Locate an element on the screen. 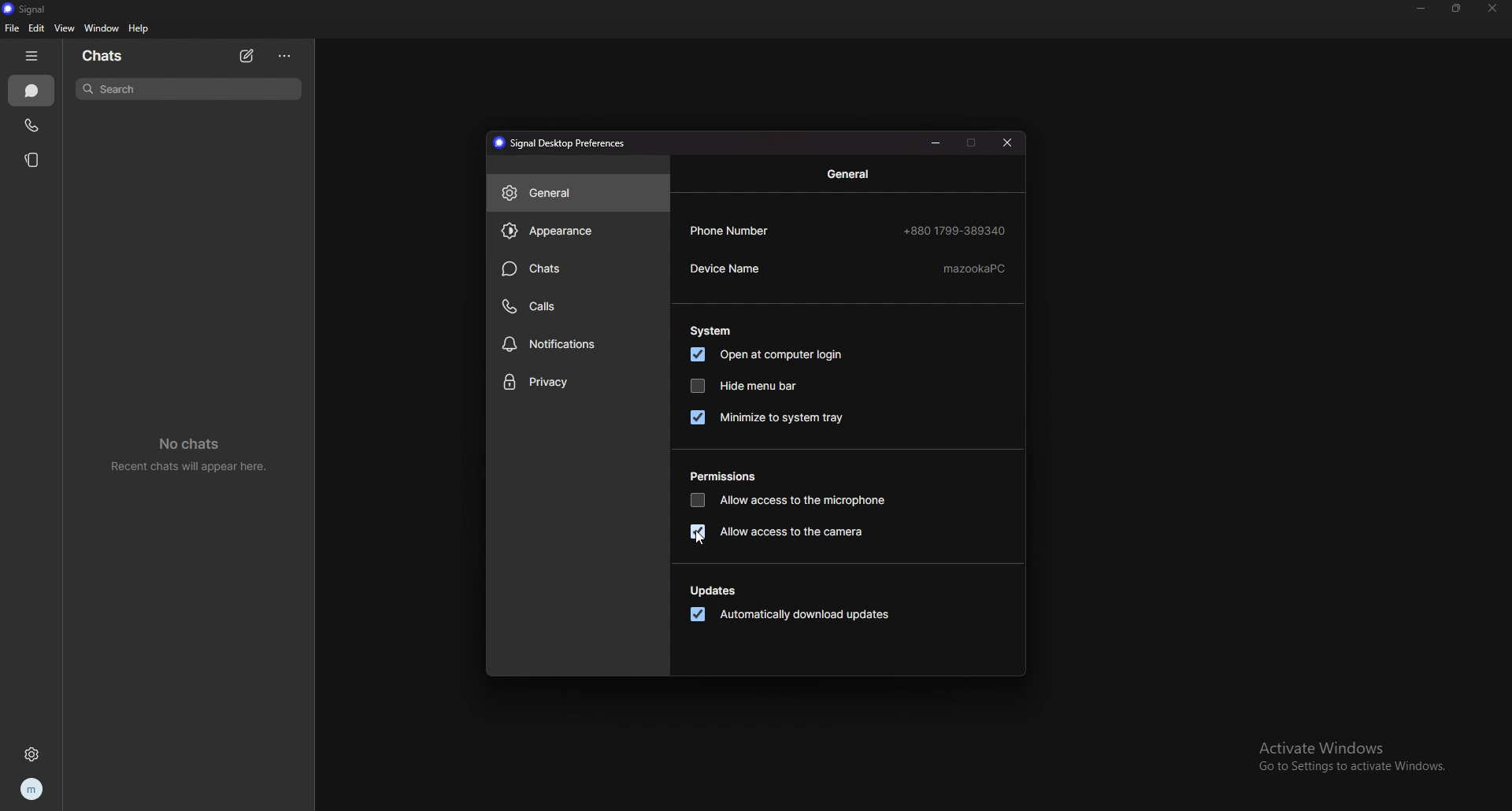 The image size is (1512, 811). file is located at coordinates (11, 28).